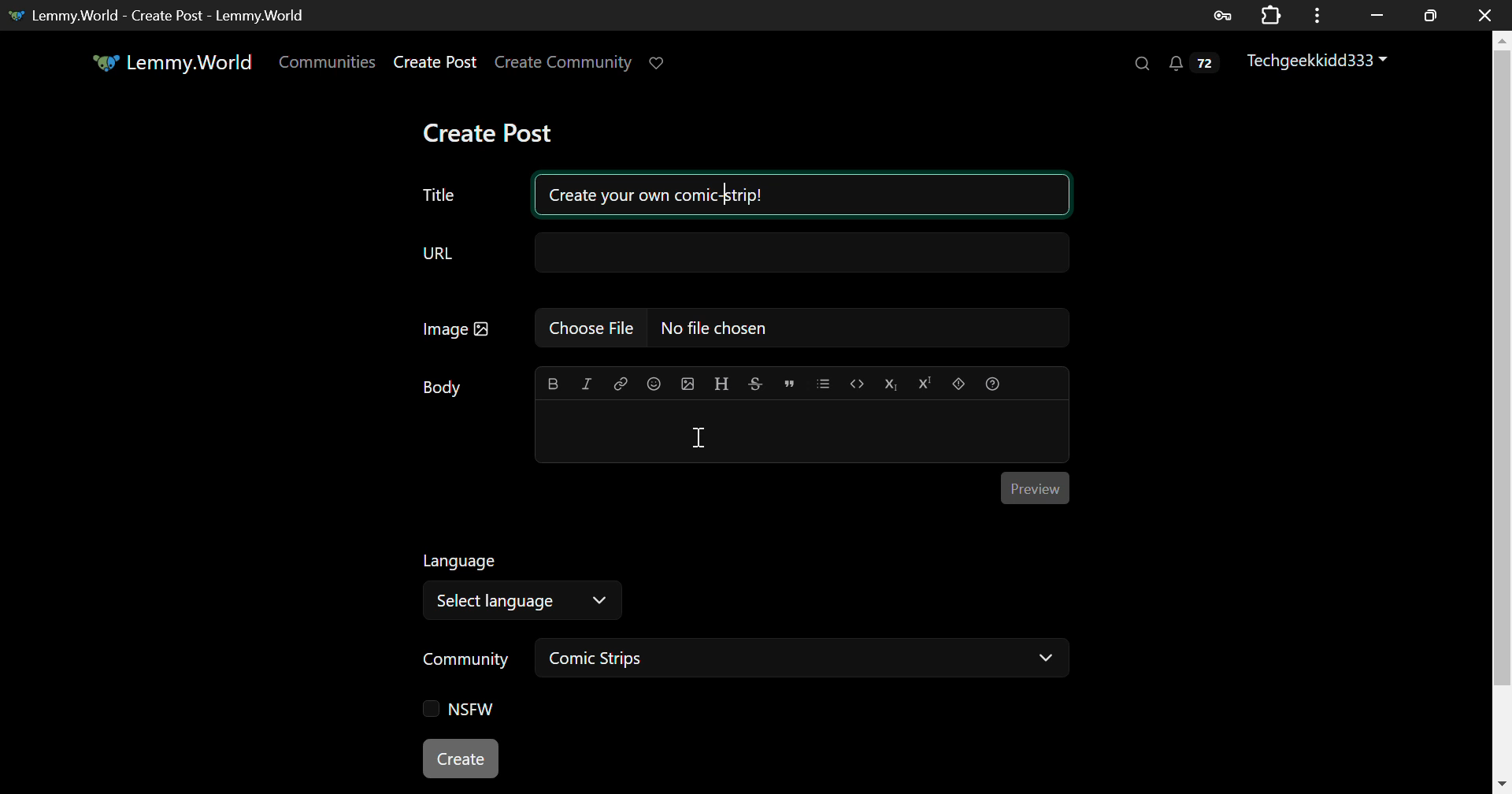 The image size is (1512, 794). What do you see at coordinates (172, 62) in the screenshot?
I see `Lemmy.World` at bounding box center [172, 62].